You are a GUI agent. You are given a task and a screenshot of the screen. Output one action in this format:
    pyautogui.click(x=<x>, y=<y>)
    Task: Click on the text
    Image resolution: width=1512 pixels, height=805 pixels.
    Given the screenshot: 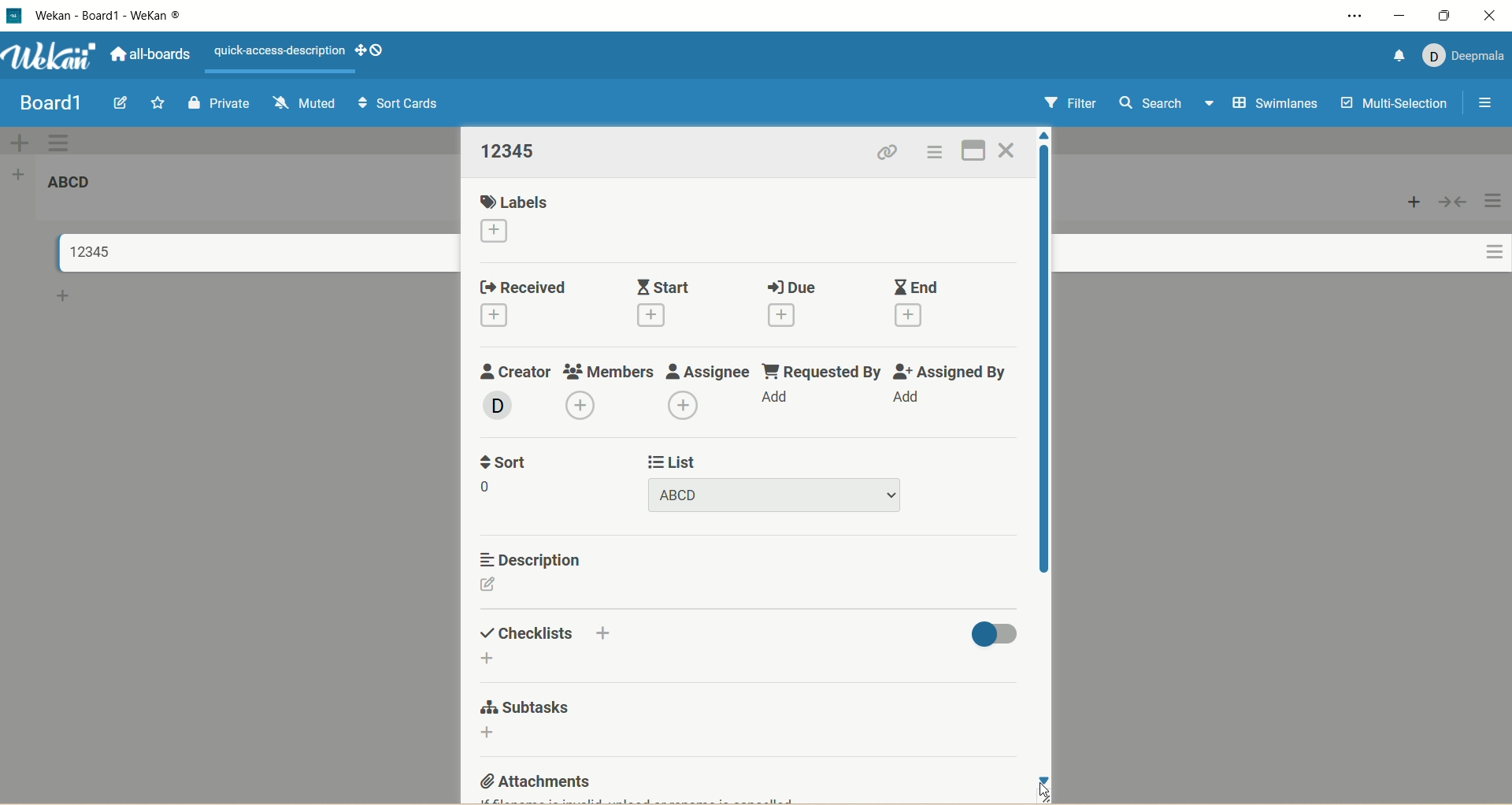 What is the action you would take?
    pyautogui.click(x=280, y=51)
    